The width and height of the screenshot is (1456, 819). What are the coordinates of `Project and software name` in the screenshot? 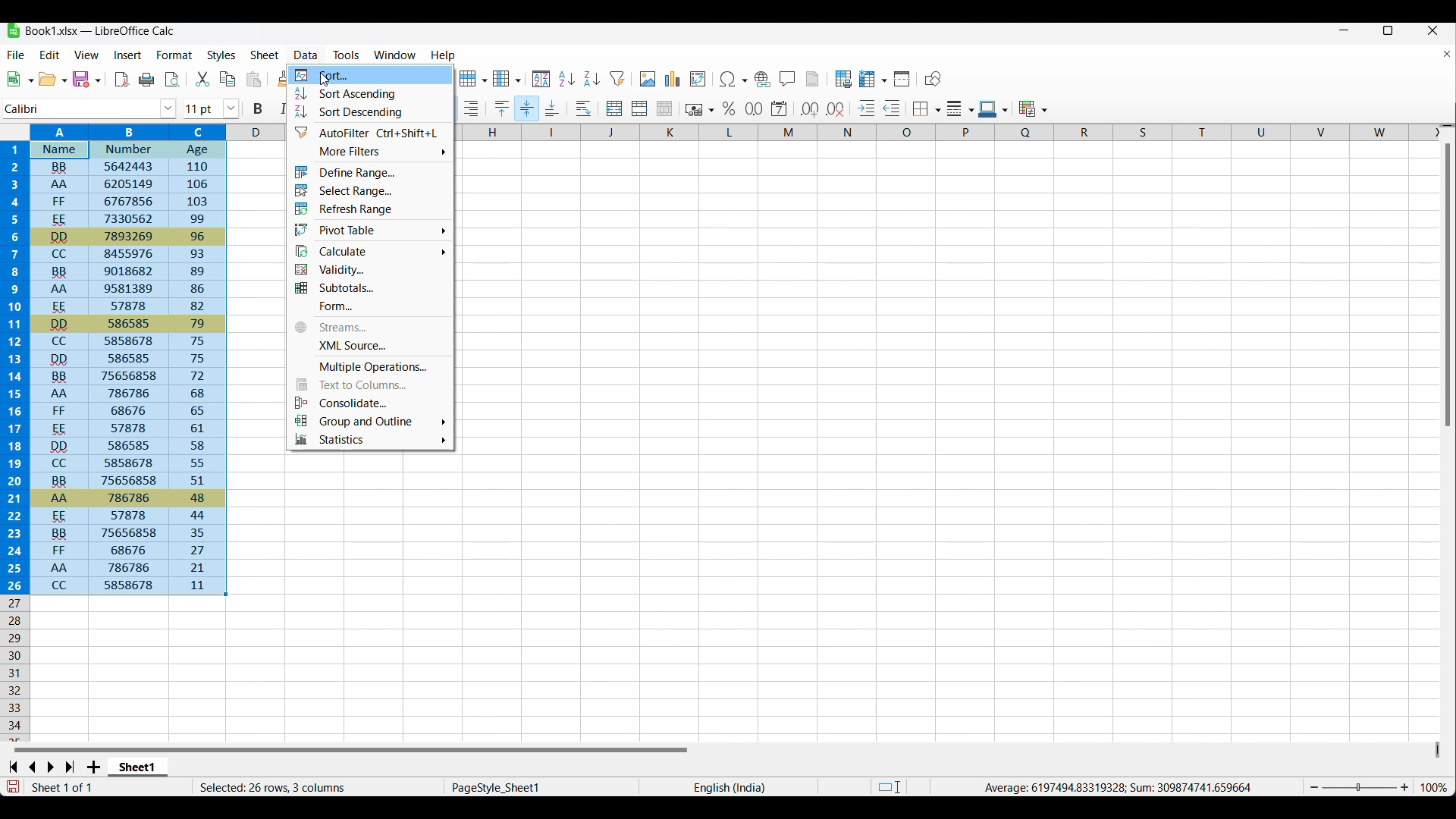 It's located at (100, 31).